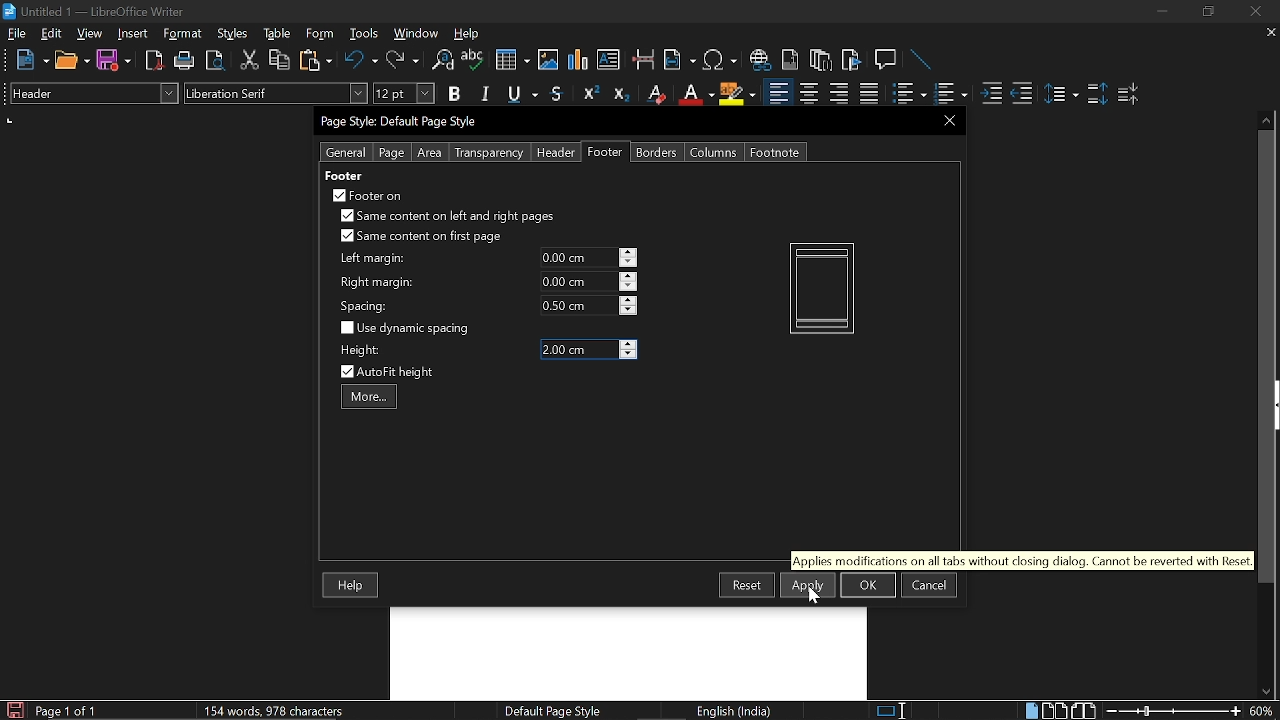 The height and width of the screenshot is (720, 1280). Describe the element at coordinates (72, 61) in the screenshot. I see `Open` at that location.